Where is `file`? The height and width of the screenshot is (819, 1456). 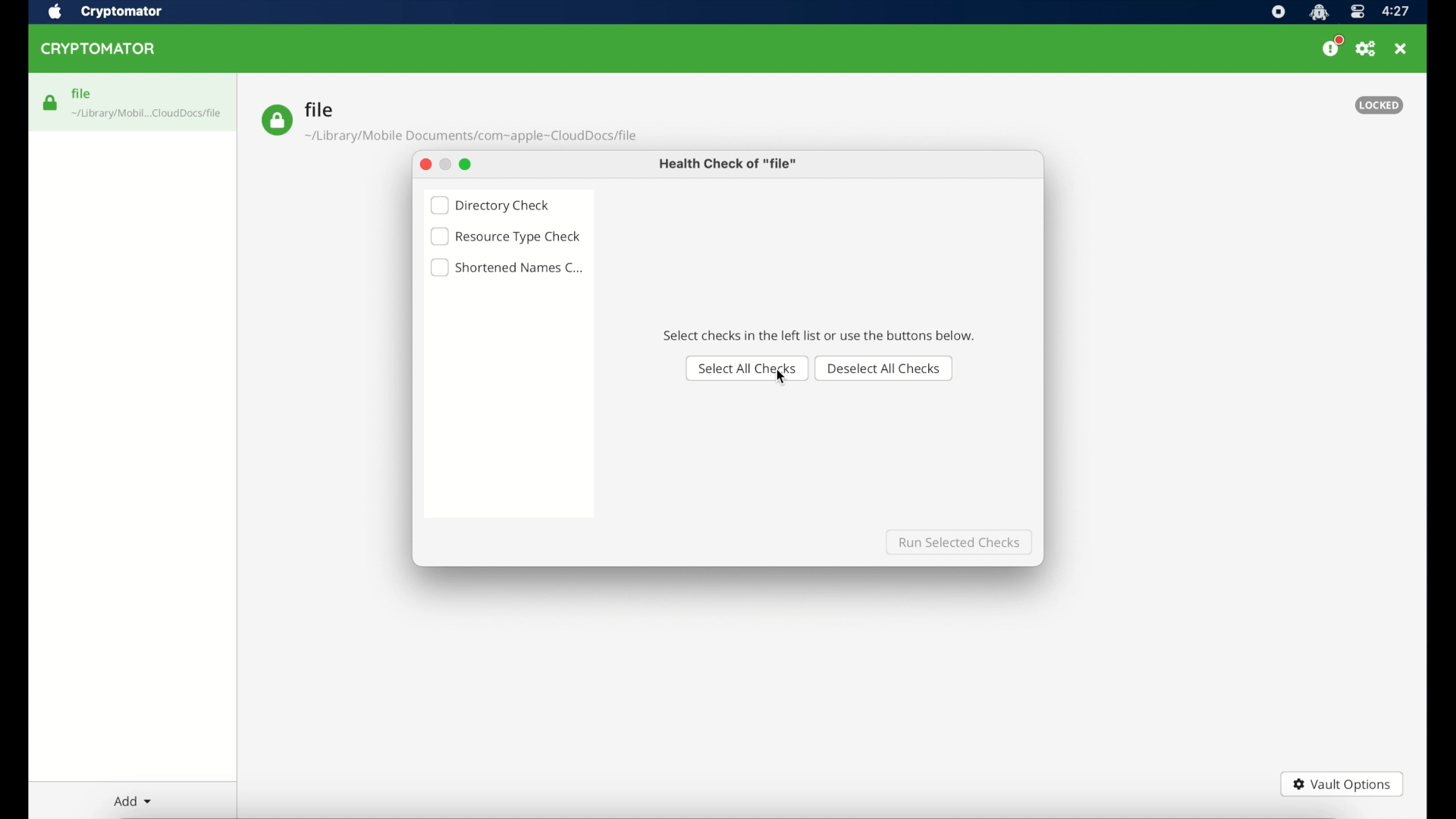
file is located at coordinates (449, 122).